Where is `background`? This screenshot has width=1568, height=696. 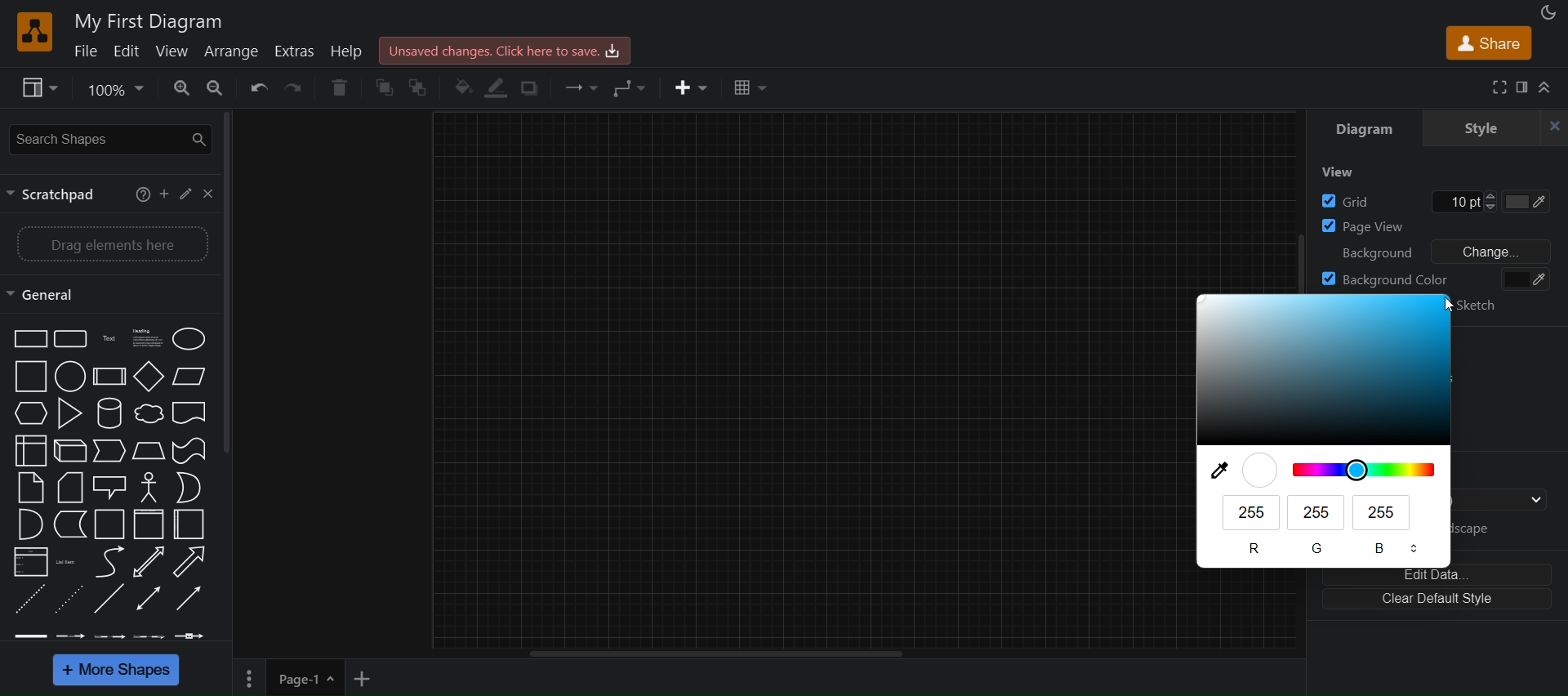
background is located at coordinates (1430, 279).